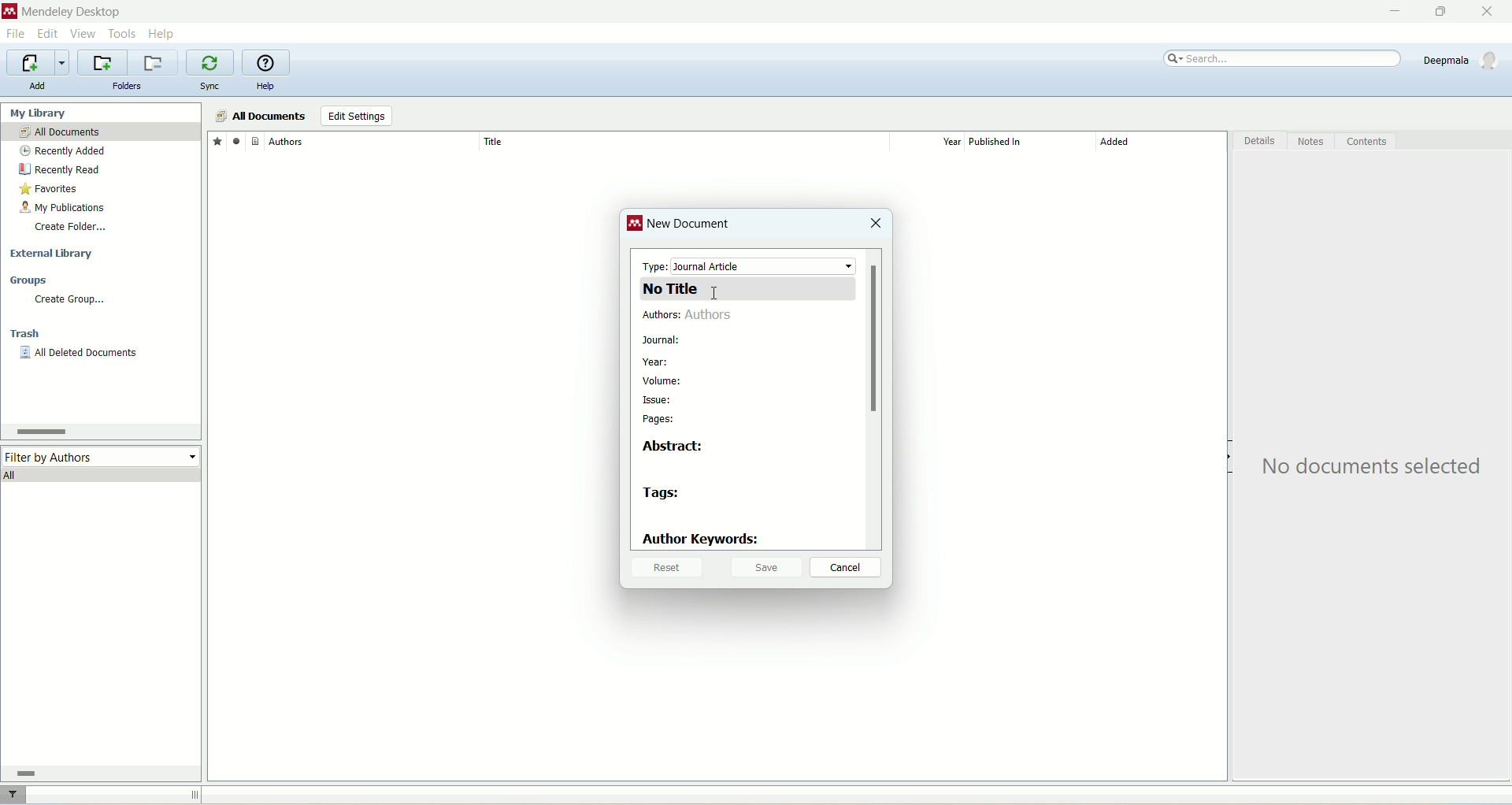 The image size is (1512, 805). I want to click on favorites, so click(50, 191).